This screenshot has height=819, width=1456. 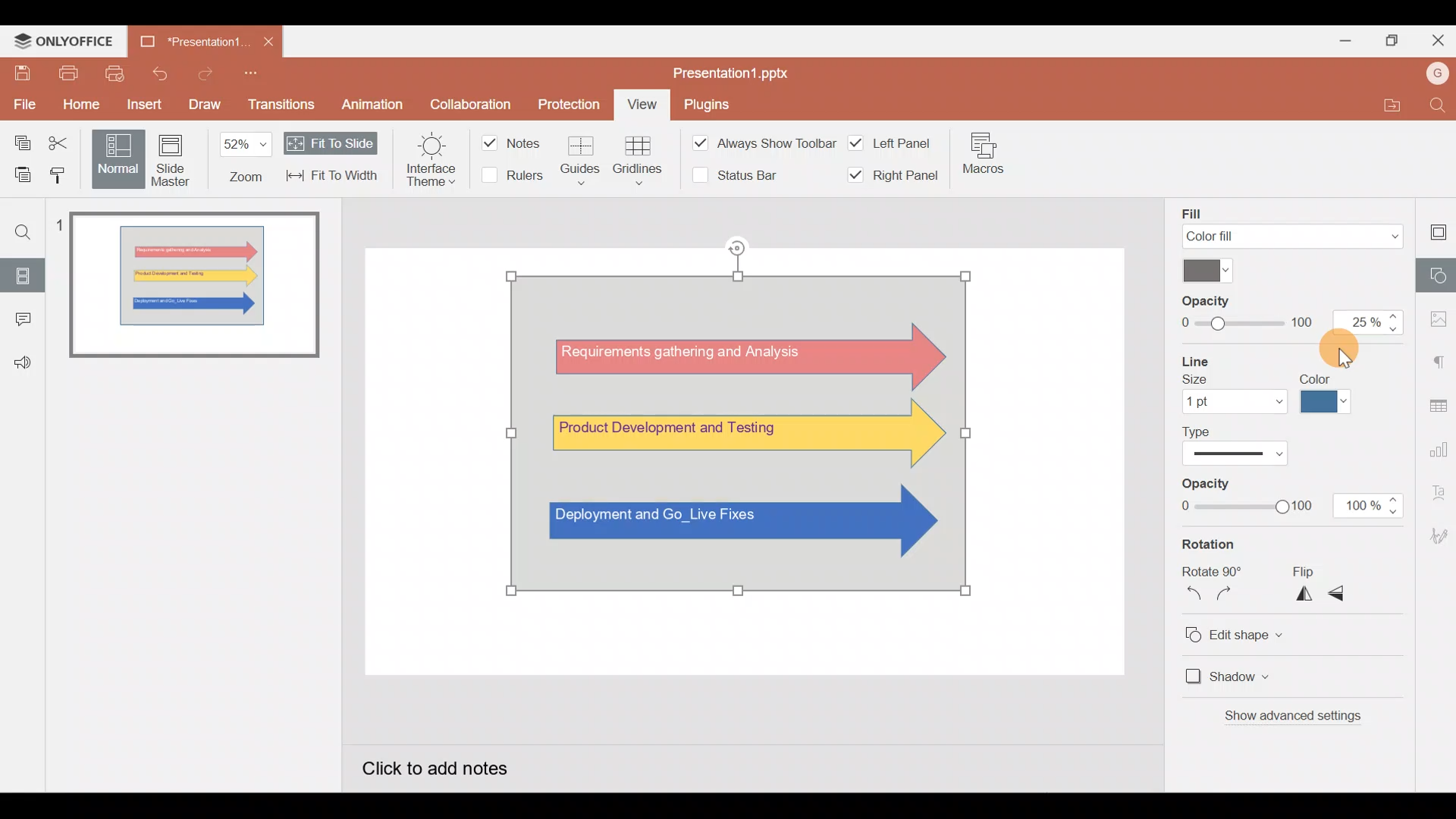 What do you see at coordinates (1230, 546) in the screenshot?
I see `Rotation` at bounding box center [1230, 546].